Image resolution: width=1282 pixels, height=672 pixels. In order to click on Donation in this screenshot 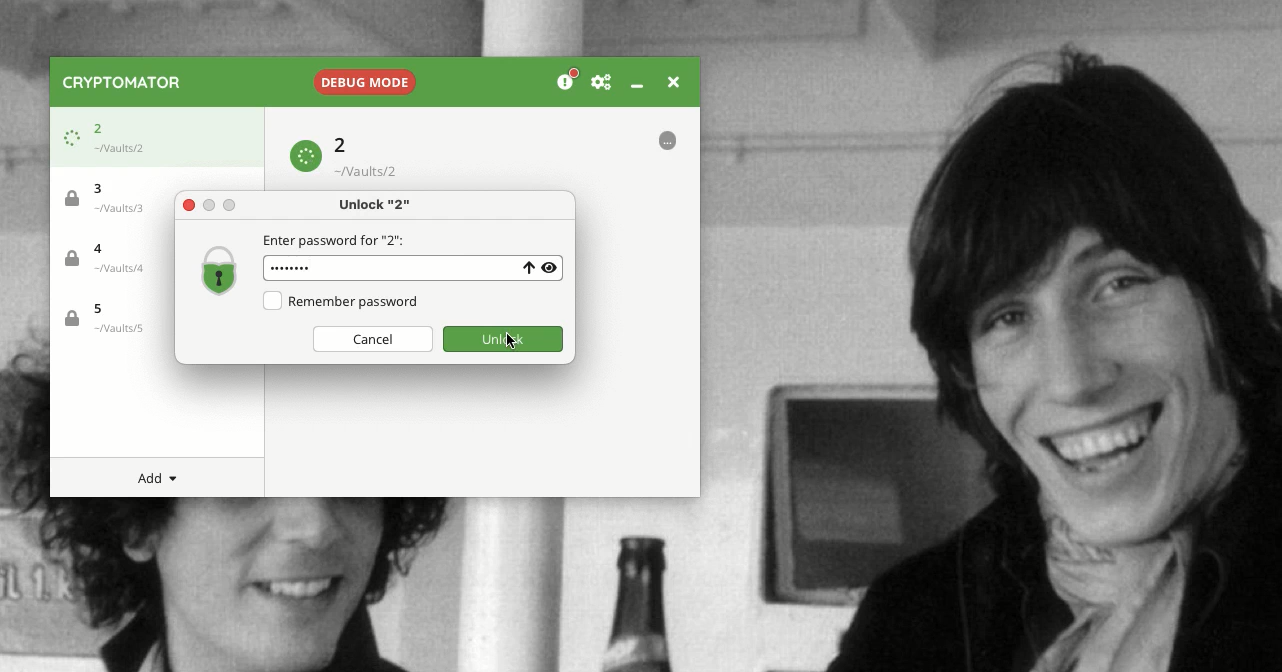, I will do `click(568, 81)`.